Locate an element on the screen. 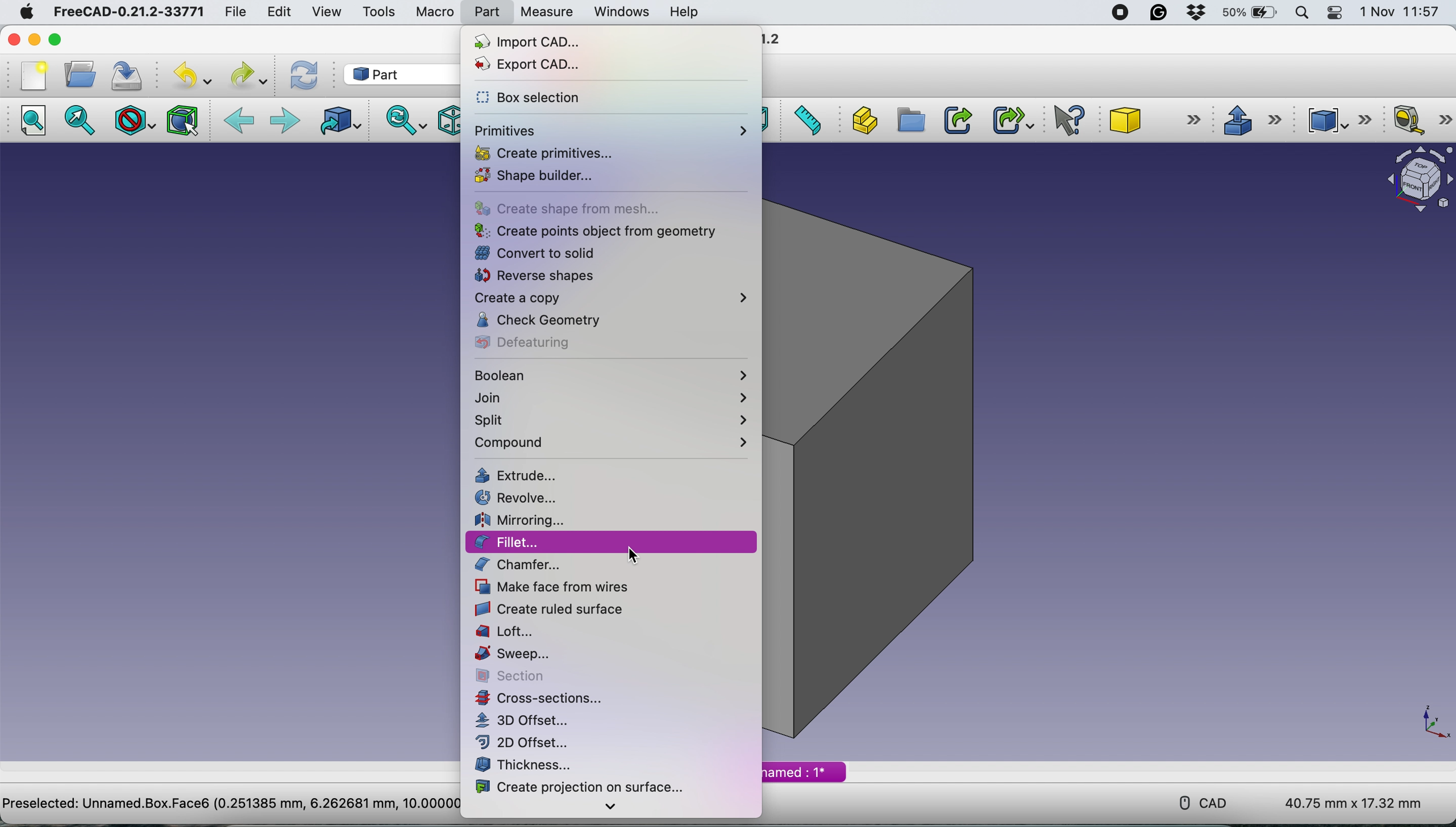 The height and width of the screenshot is (827, 1456). xy coordinate is located at coordinates (1421, 721).